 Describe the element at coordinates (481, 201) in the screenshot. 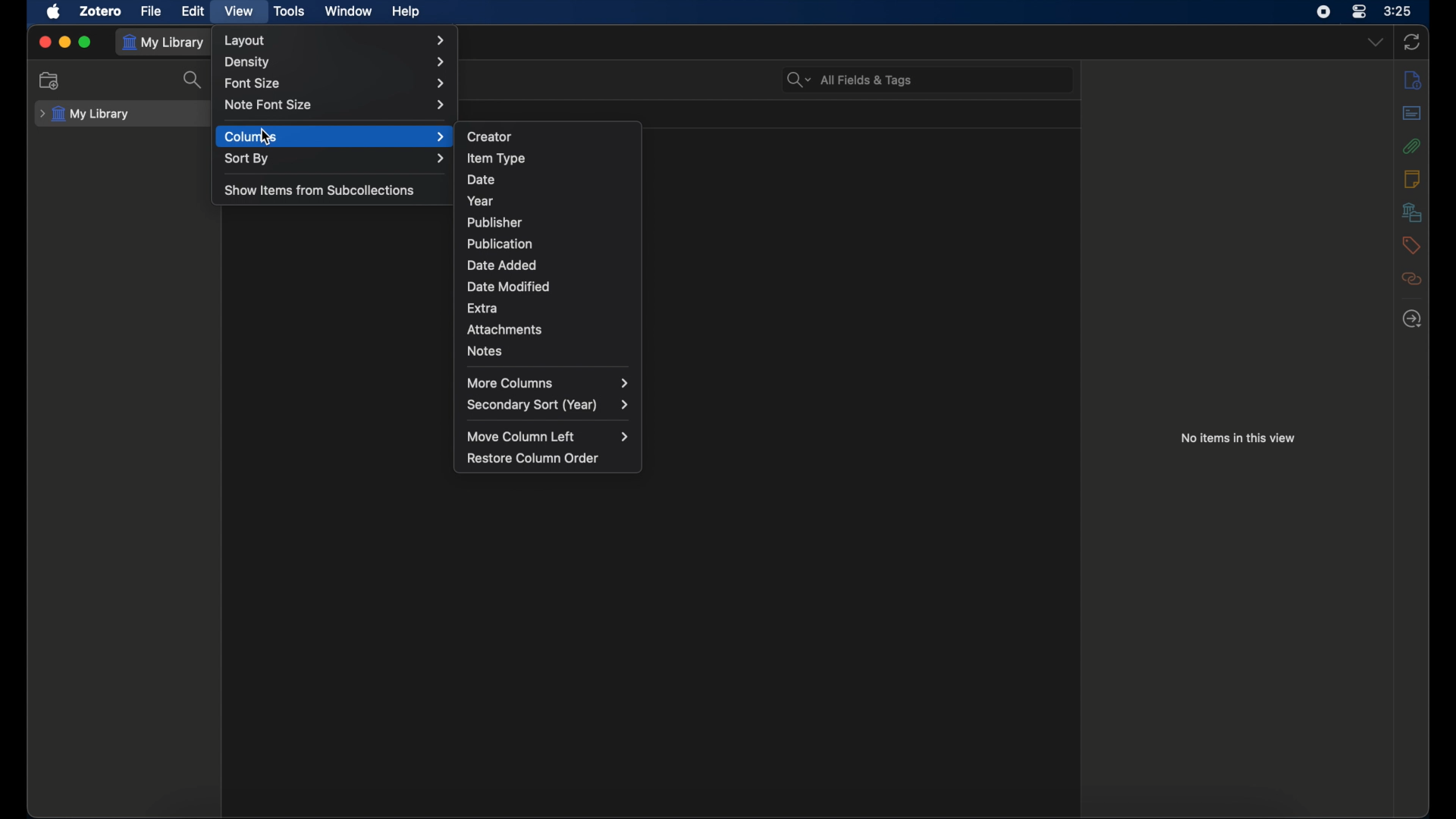

I see `year` at that location.